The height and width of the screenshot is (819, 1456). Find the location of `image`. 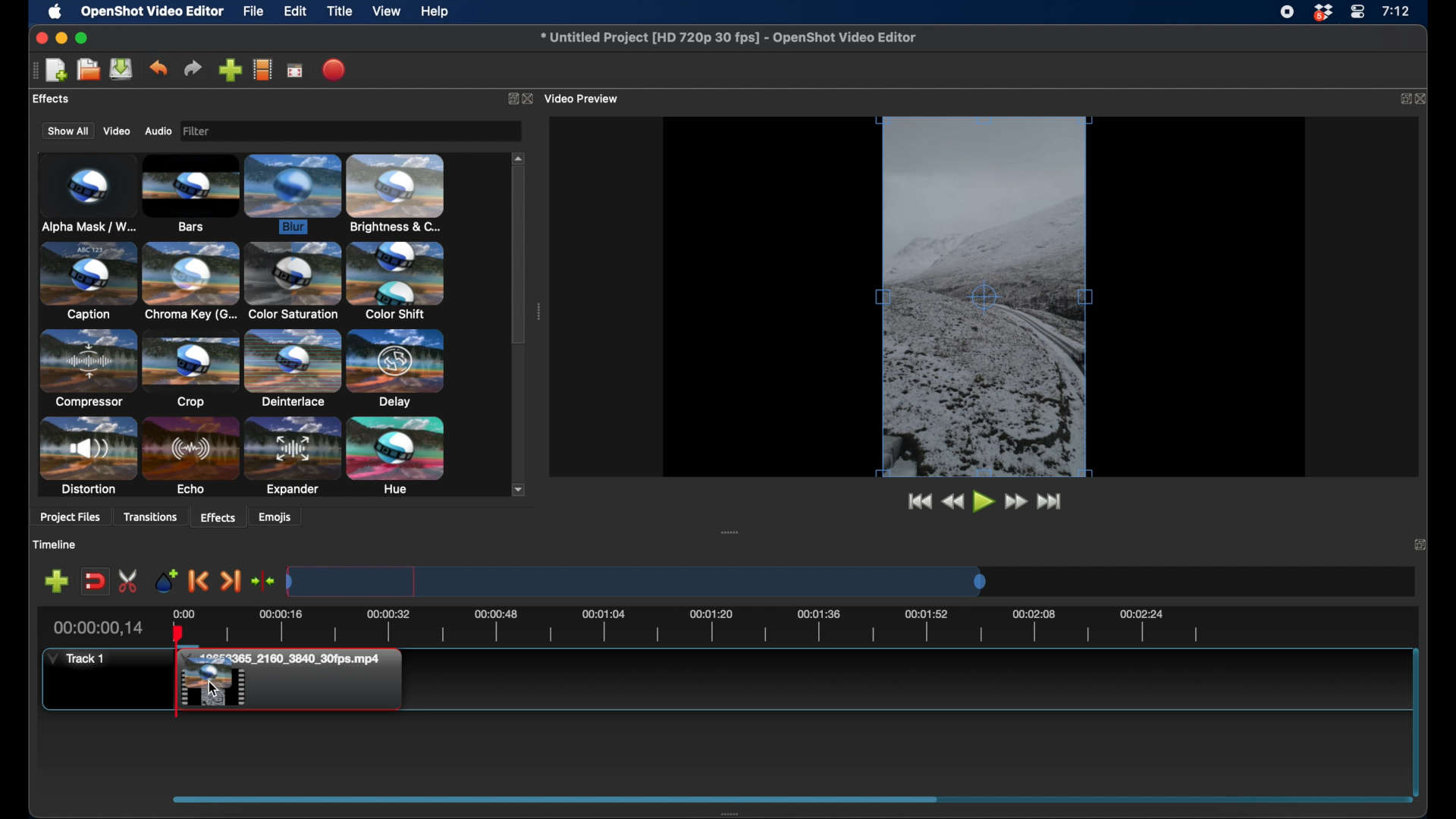

image is located at coordinates (200, 132).